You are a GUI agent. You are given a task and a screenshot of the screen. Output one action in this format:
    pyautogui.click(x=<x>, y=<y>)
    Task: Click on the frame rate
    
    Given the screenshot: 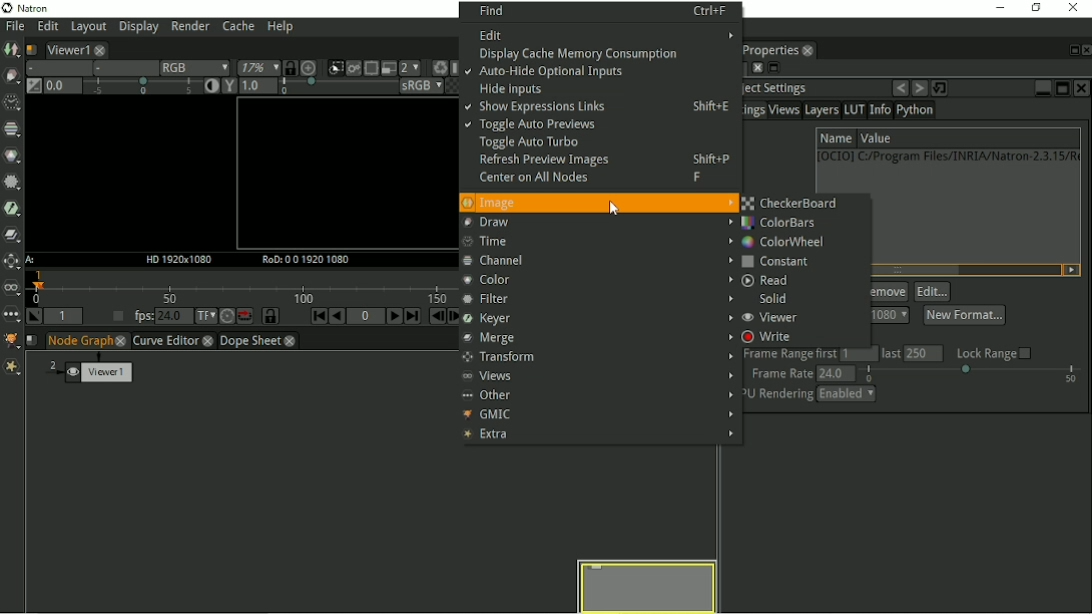 What is the action you would take?
    pyautogui.click(x=918, y=373)
    